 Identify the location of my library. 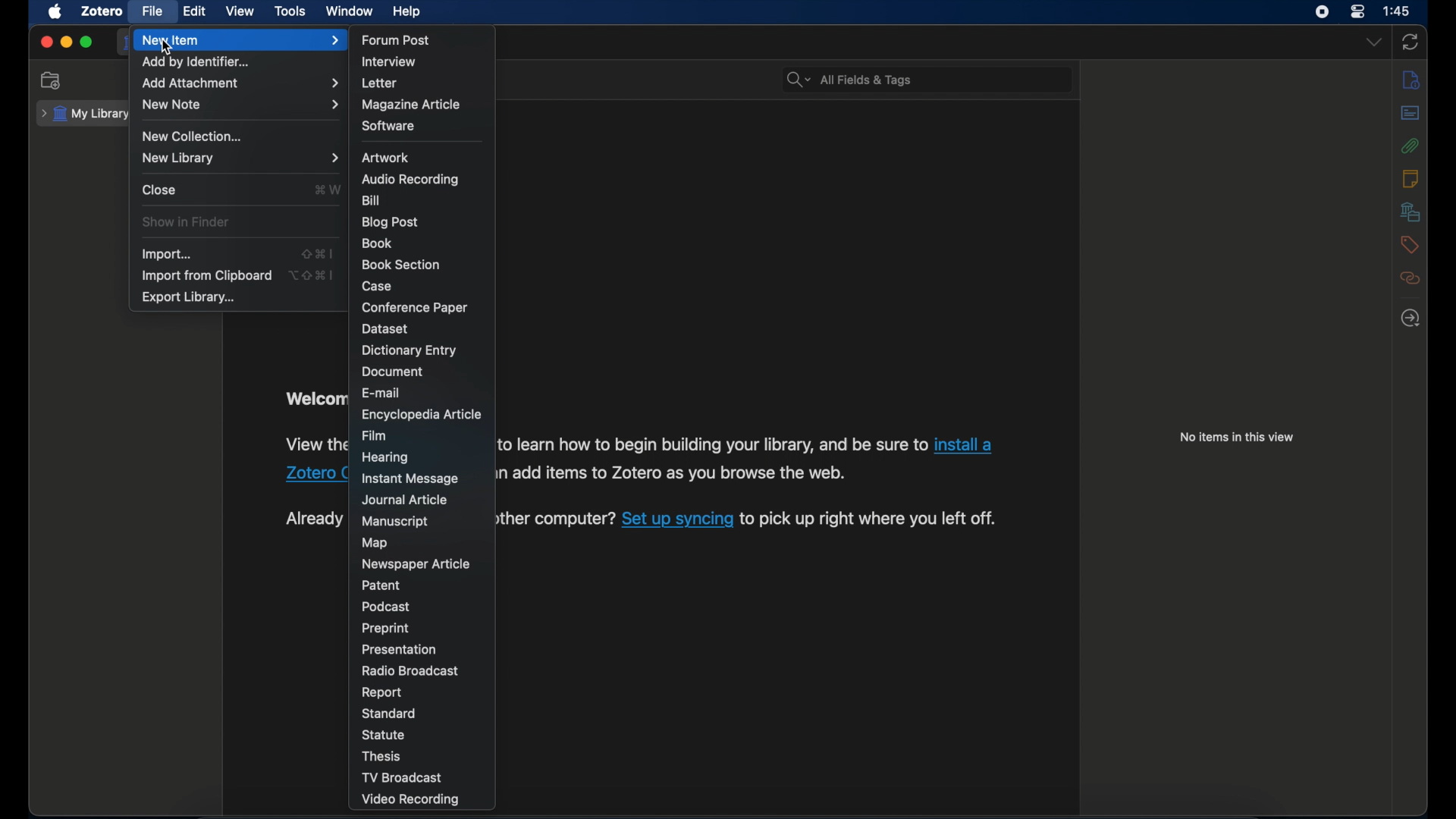
(86, 115).